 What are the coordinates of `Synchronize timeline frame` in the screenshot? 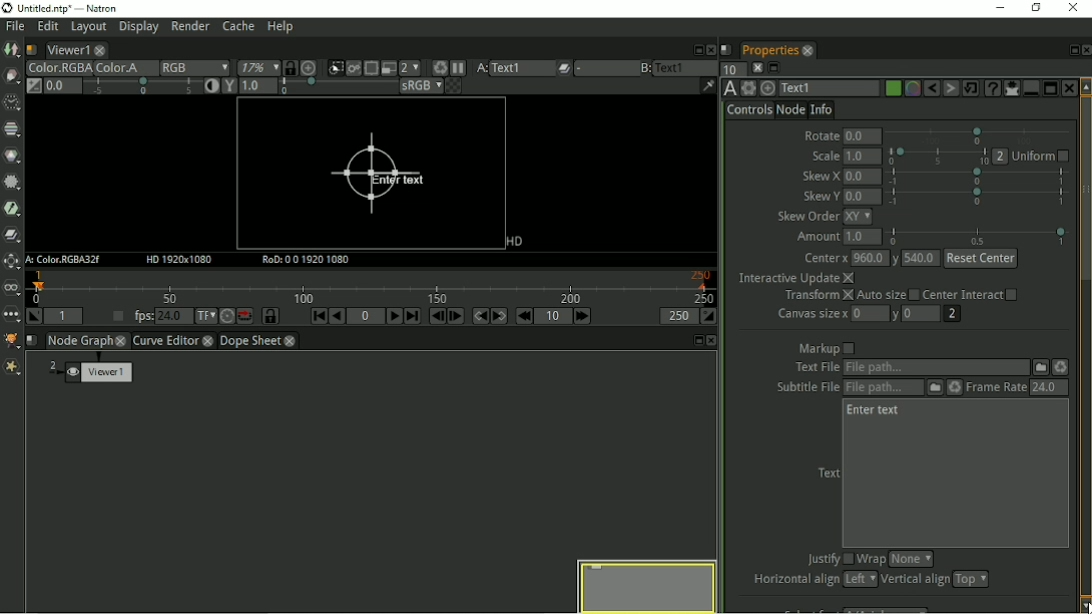 It's located at (271, 316).